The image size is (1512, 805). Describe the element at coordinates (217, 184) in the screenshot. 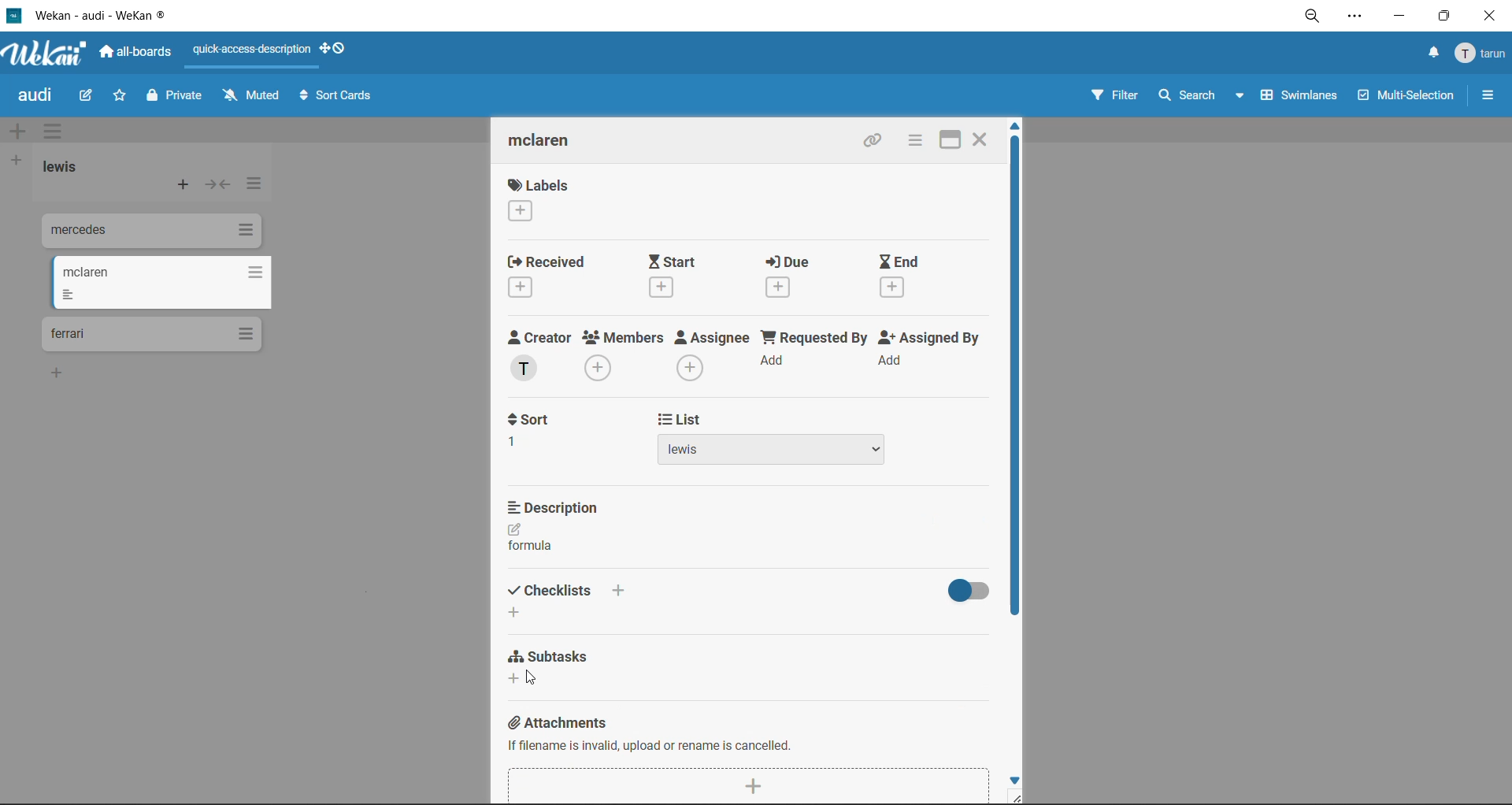

I see `collapse` at that location.